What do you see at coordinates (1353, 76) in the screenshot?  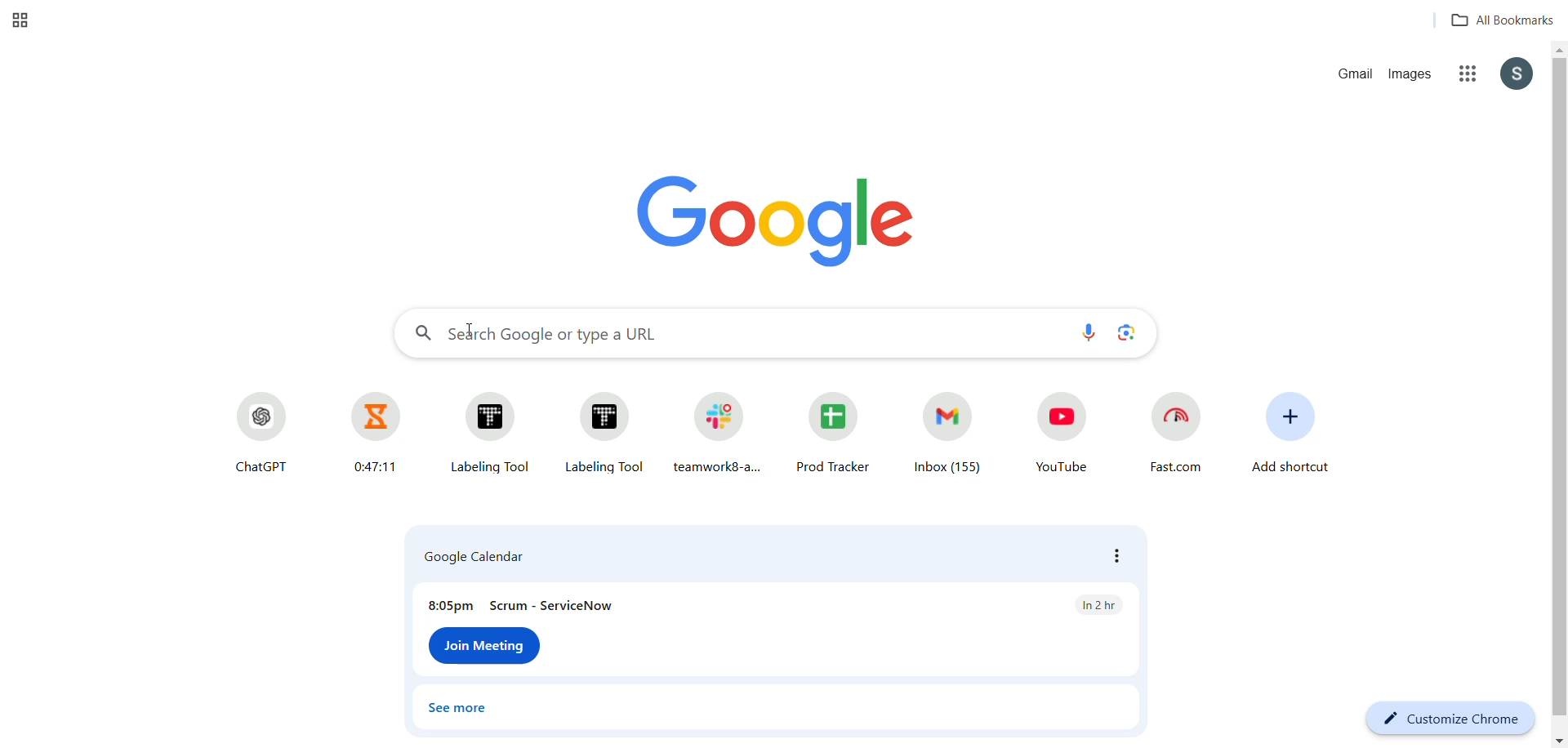 I see `gmail` at bounding box center [1353, 76].